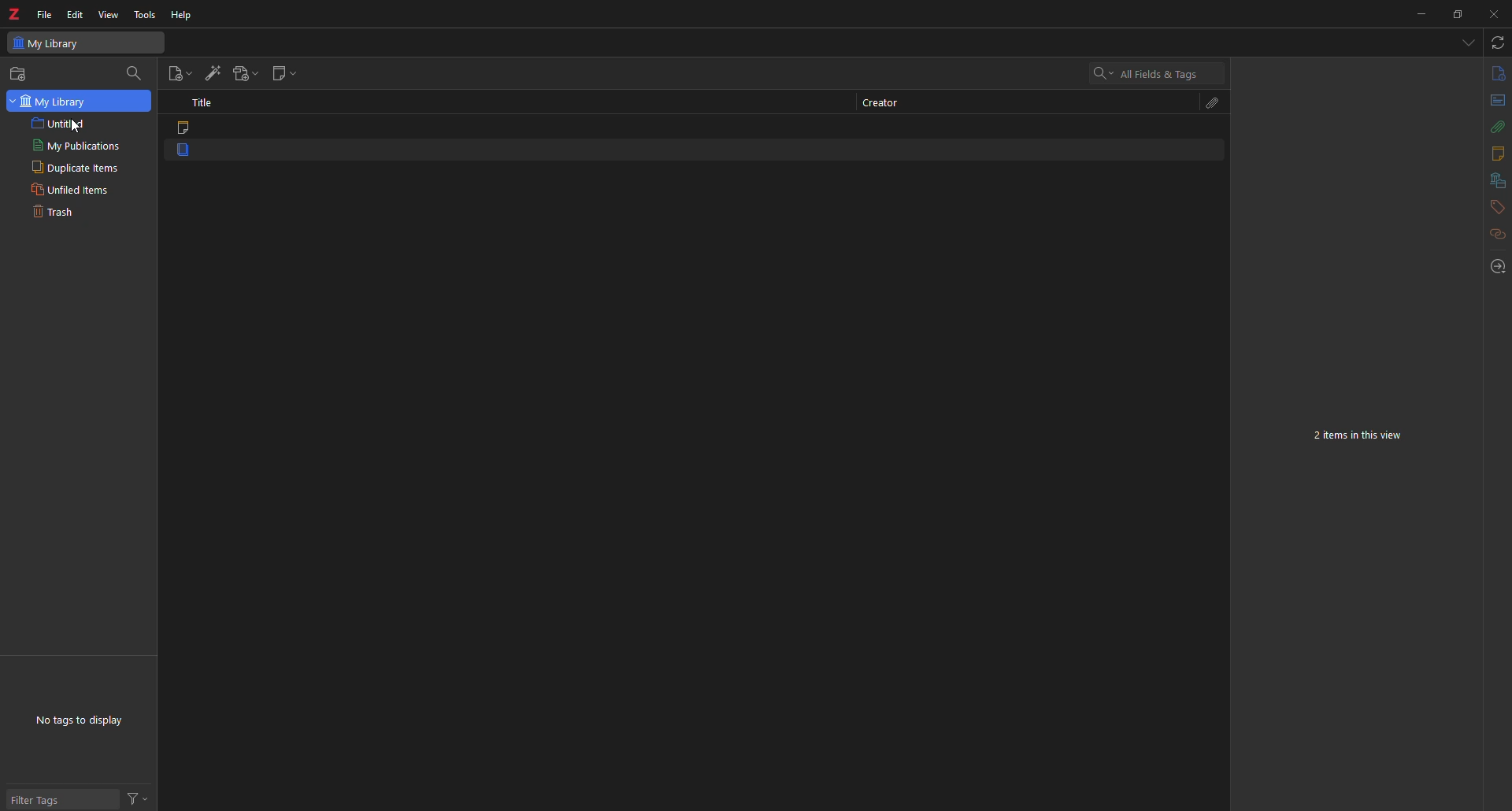 This screenshot has width=1512, height=811. What do you see at coordinates (16, 13) in the screenshot?
I see `z` at bounding box center [16, 13].